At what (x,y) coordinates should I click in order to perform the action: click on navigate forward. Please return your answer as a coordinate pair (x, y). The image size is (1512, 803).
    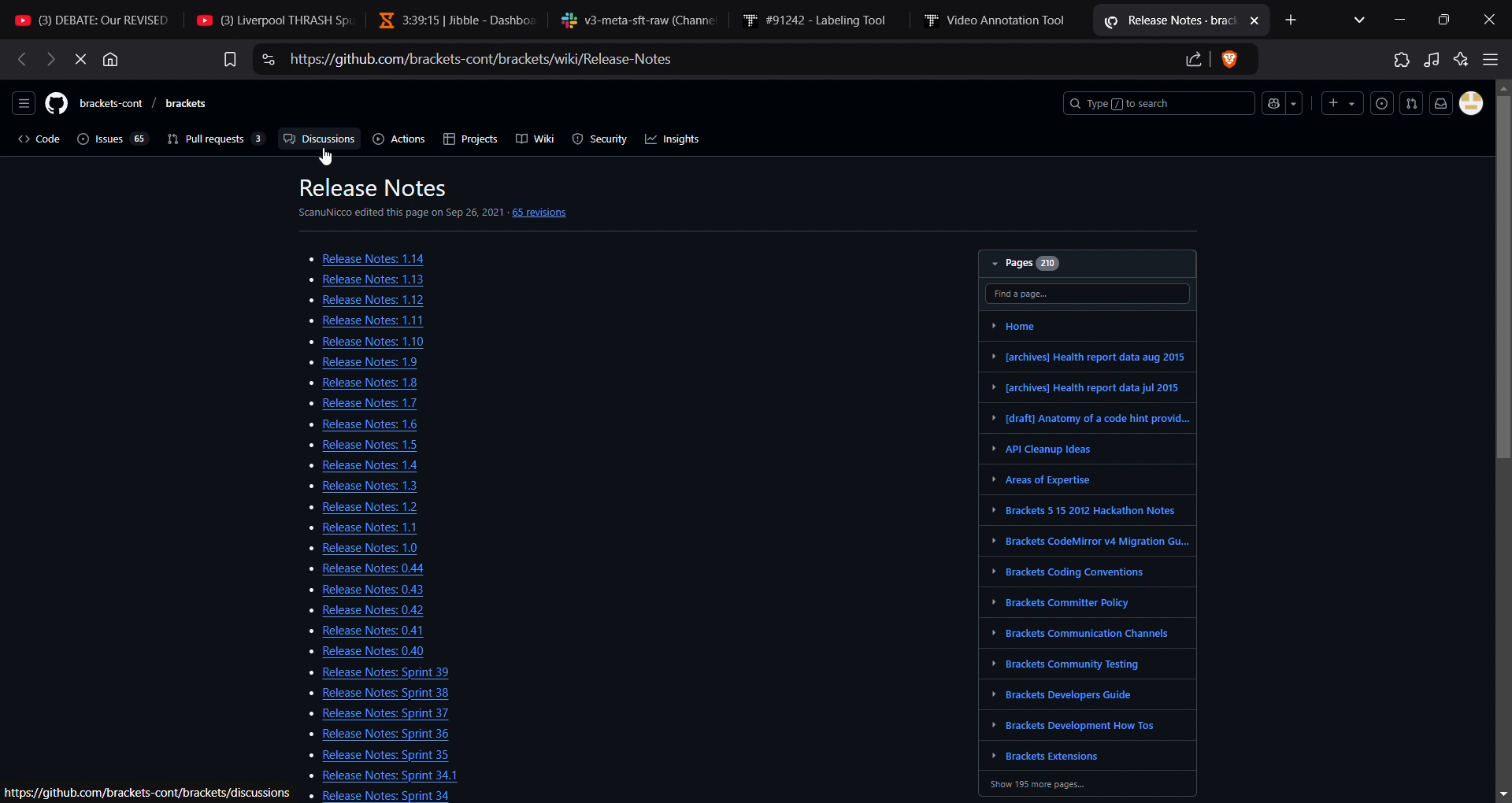
    Looking at the image, I should click on (49, 59).